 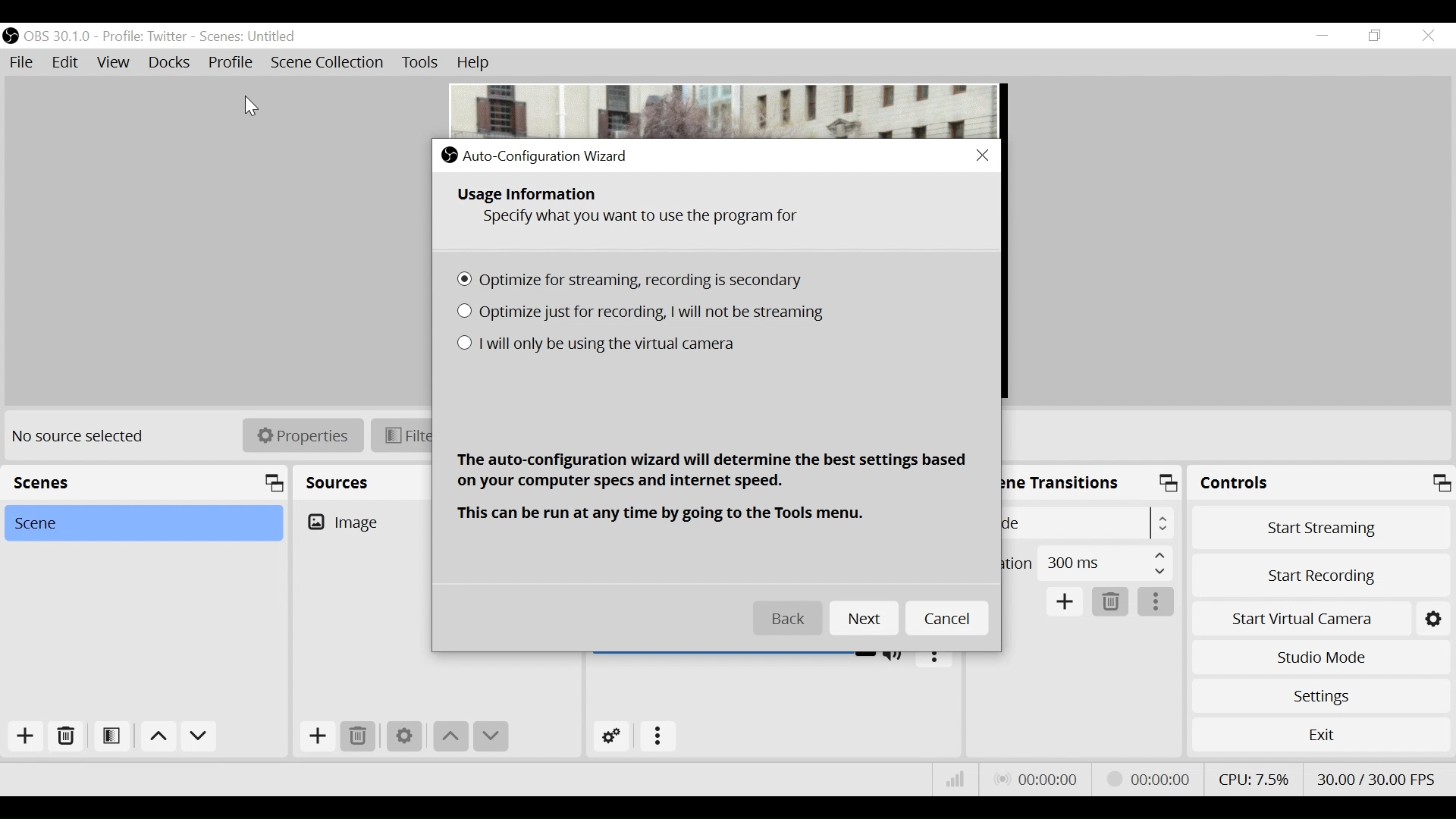 What do you see at coordinates (169, 63) in the screenshot?
I see `Docks` at bounding box center [169, 63].